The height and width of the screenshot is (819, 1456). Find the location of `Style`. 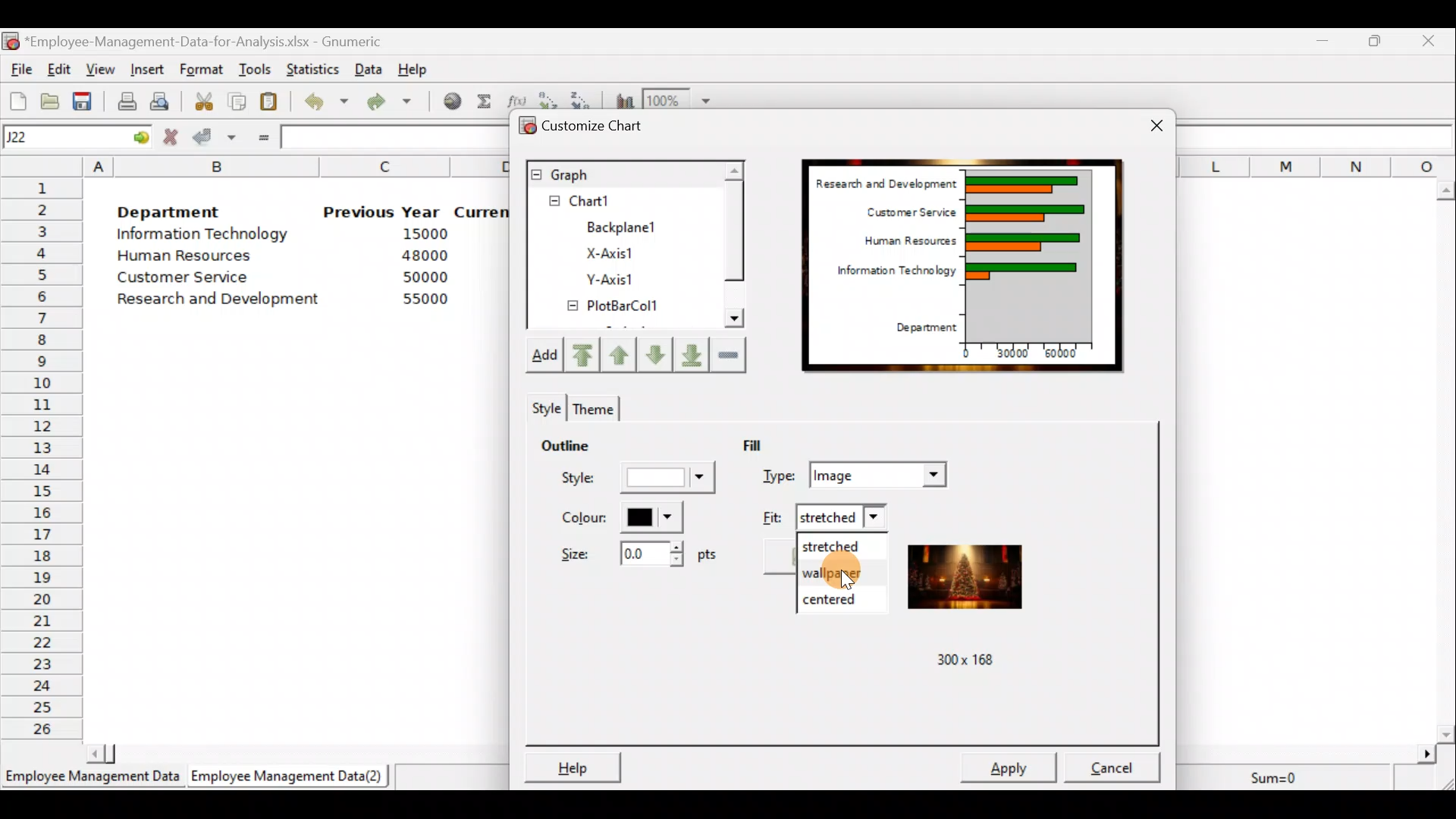

Style is located at coordinates (633, 481).